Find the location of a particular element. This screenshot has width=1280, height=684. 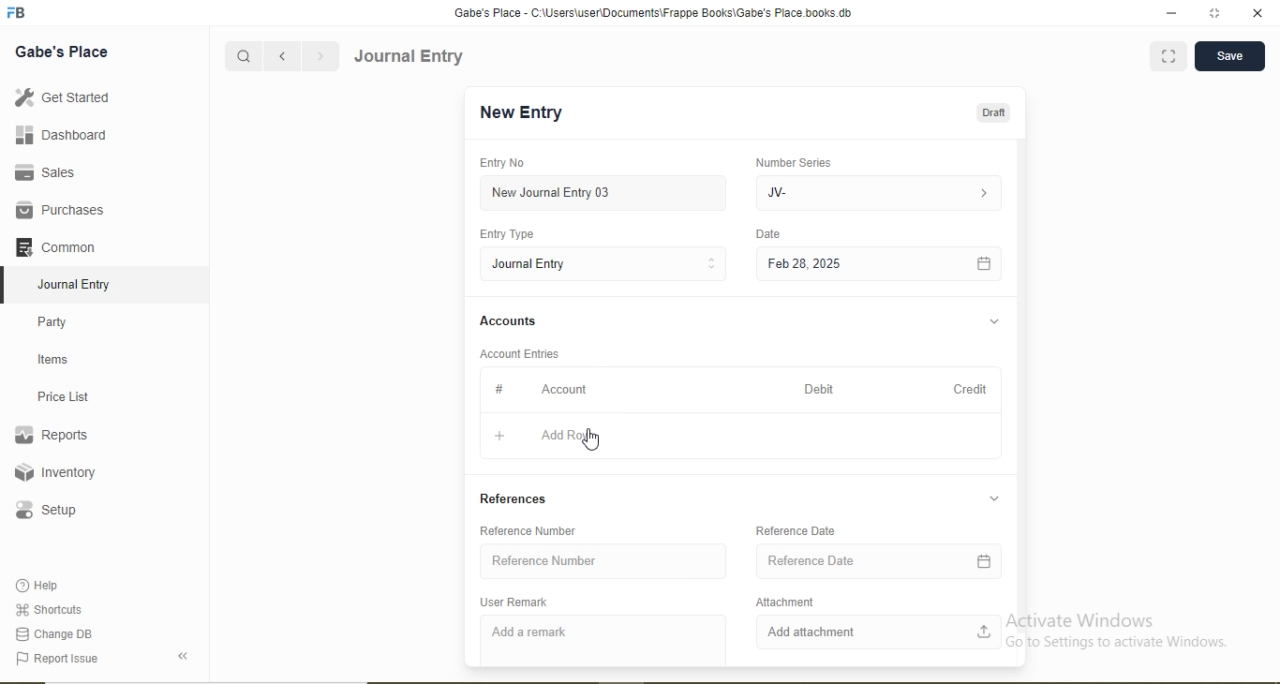

Purchases is located at coordinates (59, 210).